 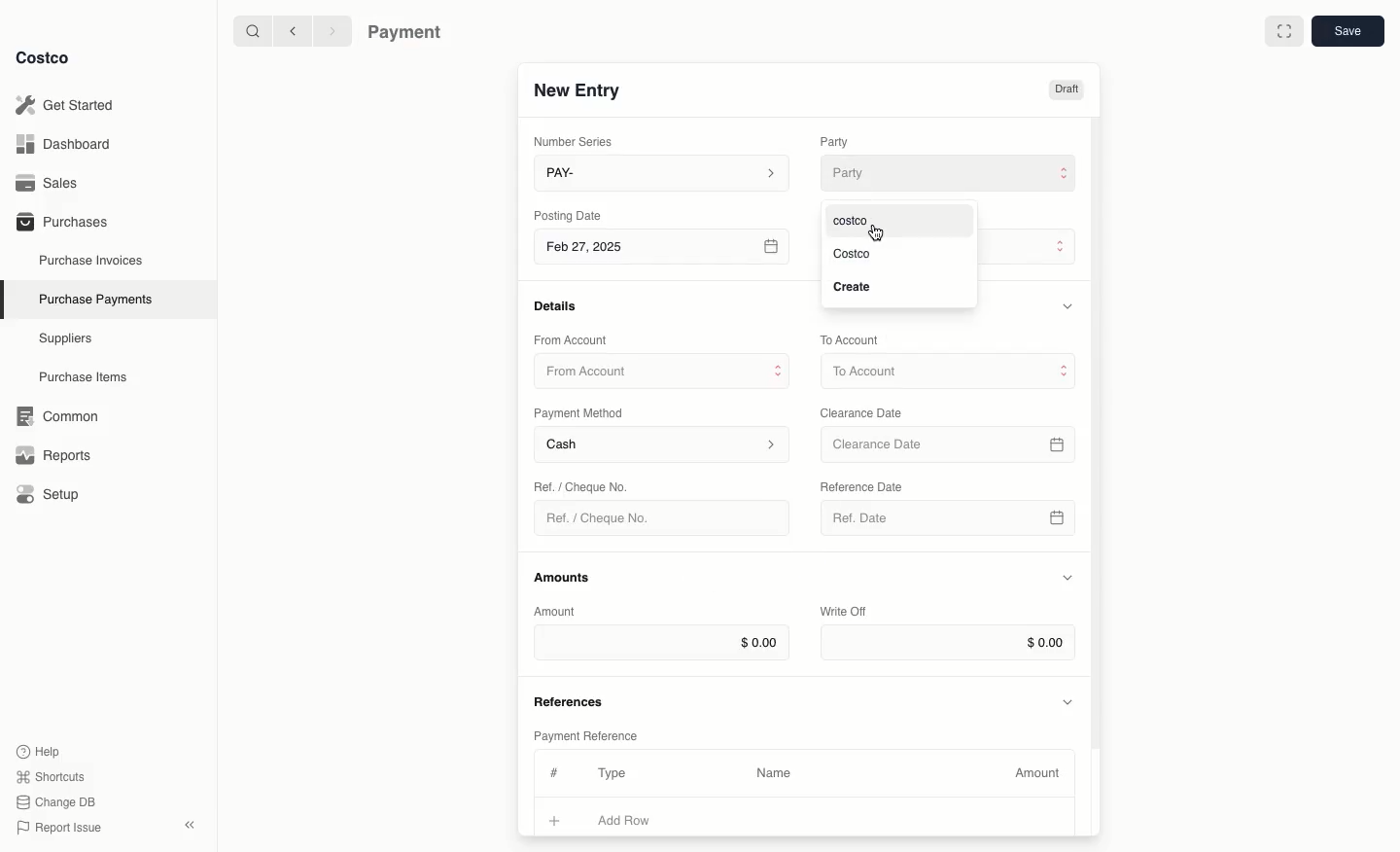 I want to click on Help, so click(x=38, y=750).